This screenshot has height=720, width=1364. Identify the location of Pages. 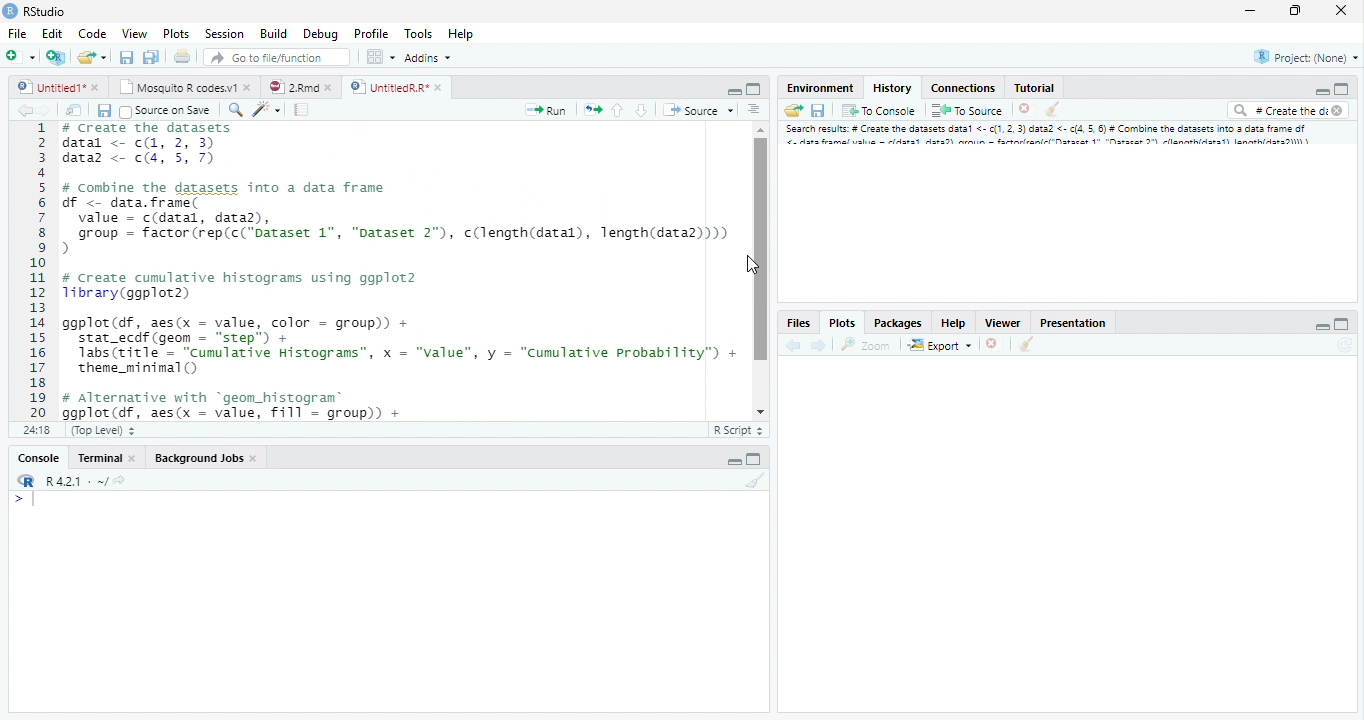
(593, 112).